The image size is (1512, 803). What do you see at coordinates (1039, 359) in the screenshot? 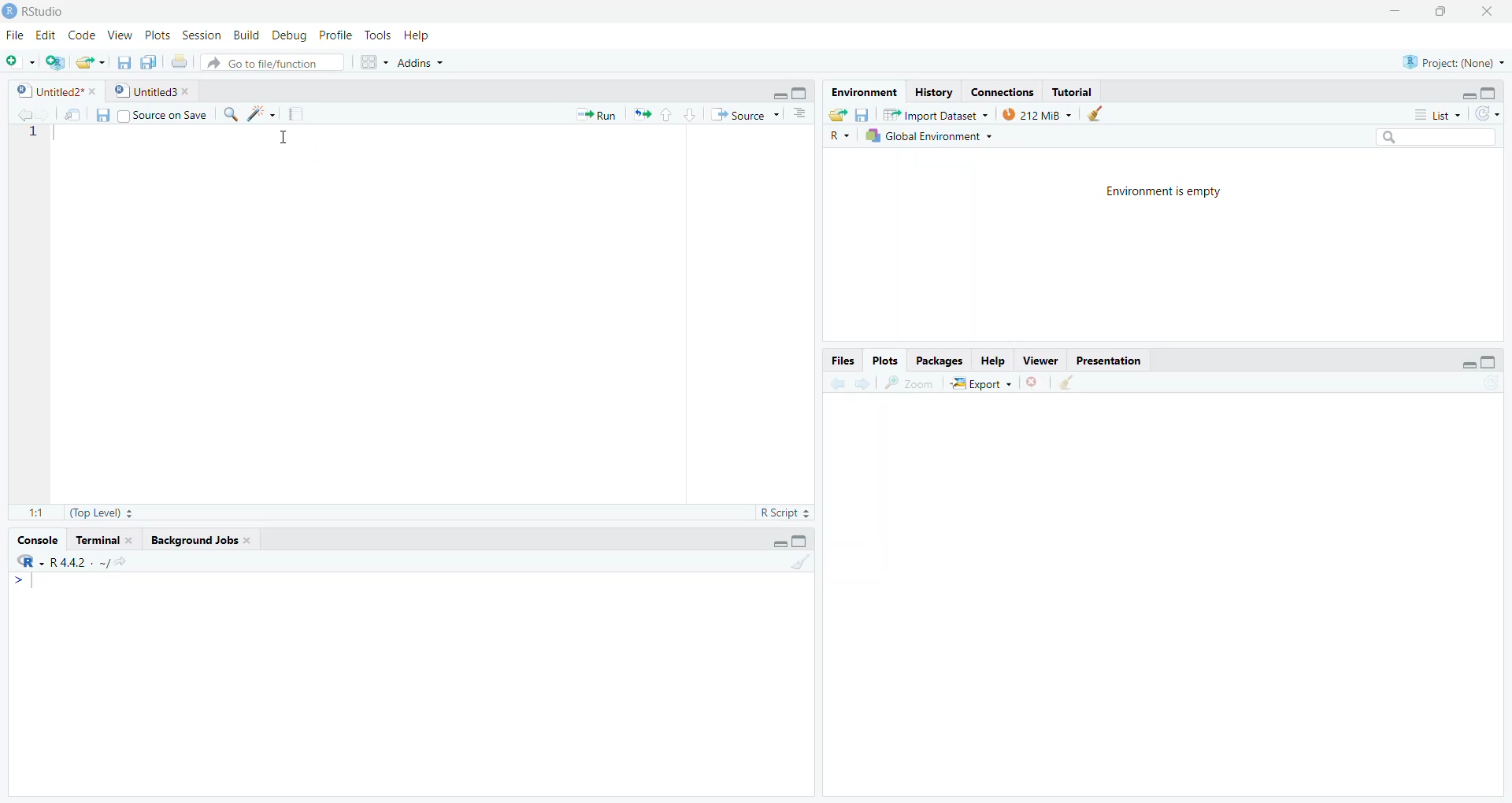
I see `viewer` at bounding box center [1039, 359].